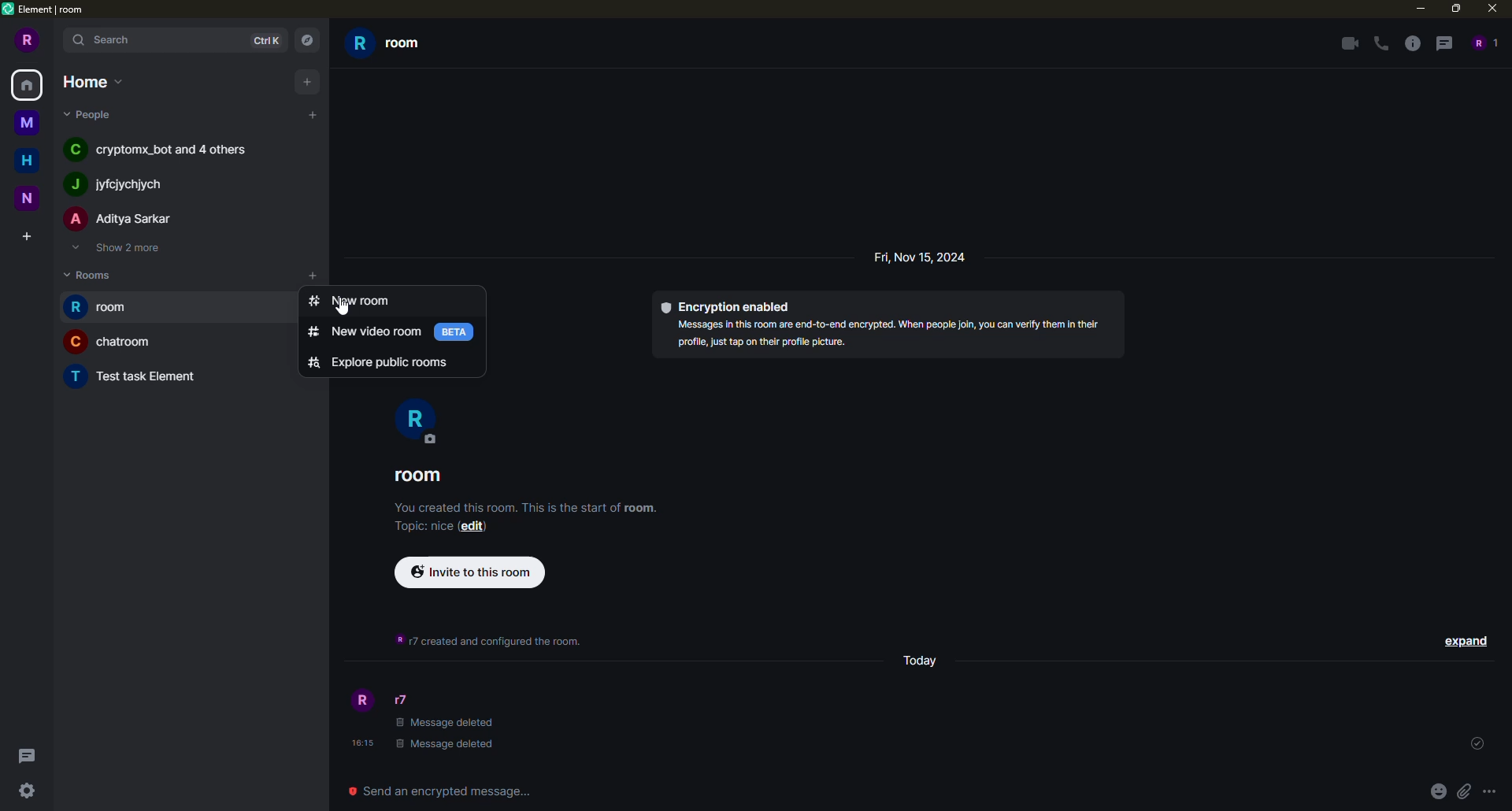 The width and height of the screenshot is (1512, 811). I want to click on rooms, so click(88, 274).